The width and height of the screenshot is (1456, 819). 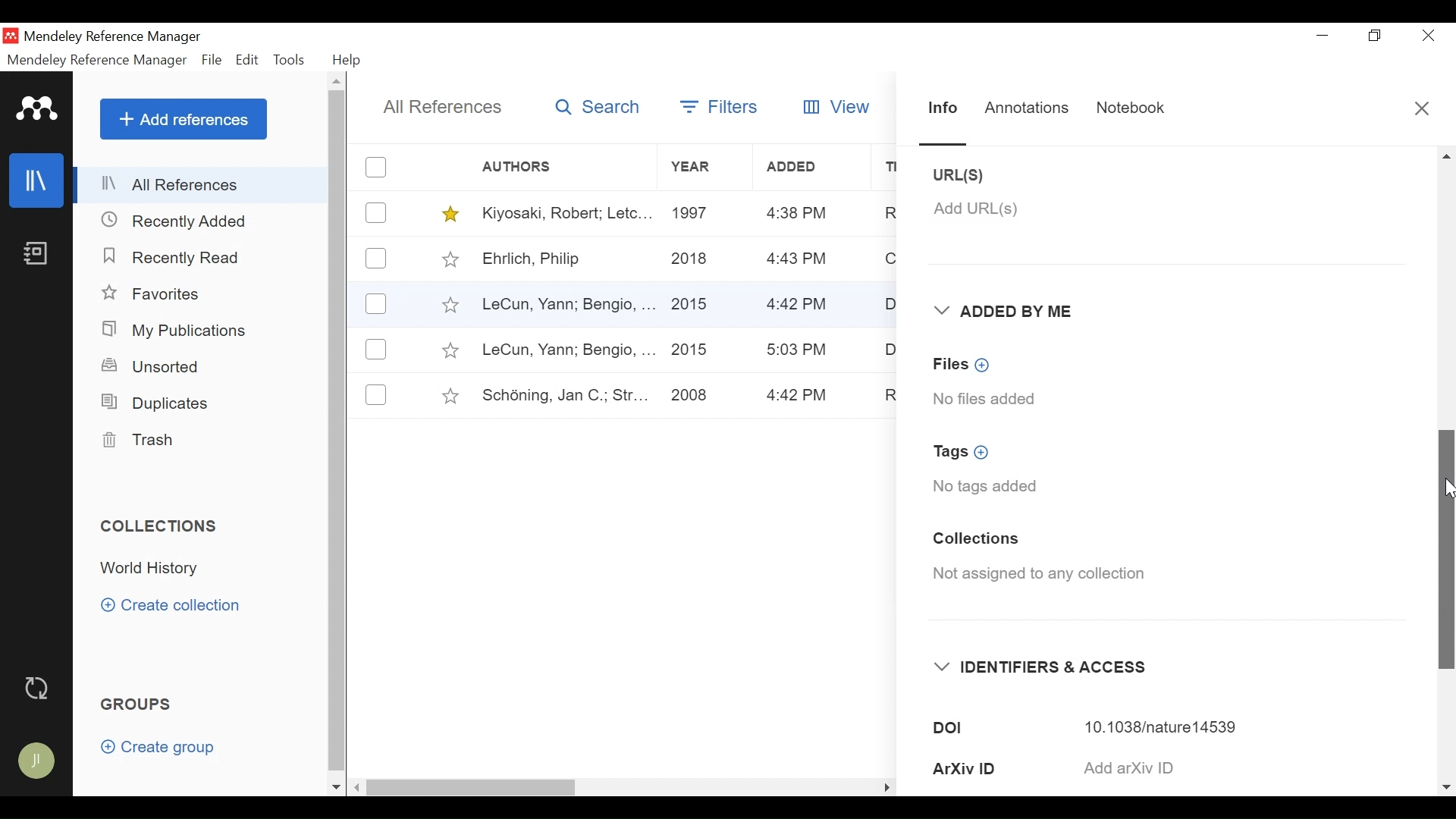 What do you see at coordinates (1323, 35) in the screenshot?
I see `minimize` at bounding box center [1323, 35].